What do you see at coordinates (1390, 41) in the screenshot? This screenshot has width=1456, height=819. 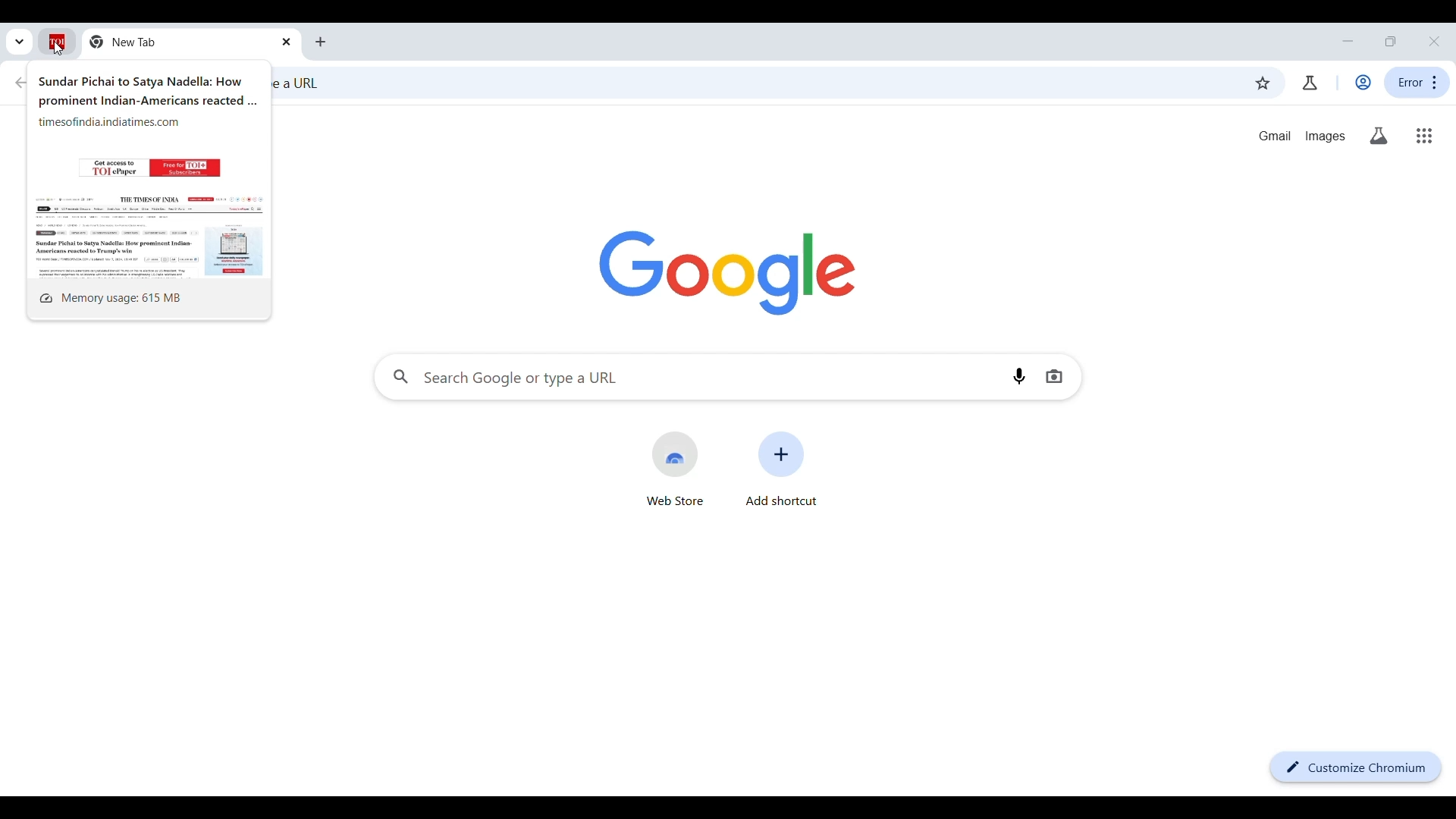 I see `Show interface in a smaller tab` at bounding box center [1390, 41].